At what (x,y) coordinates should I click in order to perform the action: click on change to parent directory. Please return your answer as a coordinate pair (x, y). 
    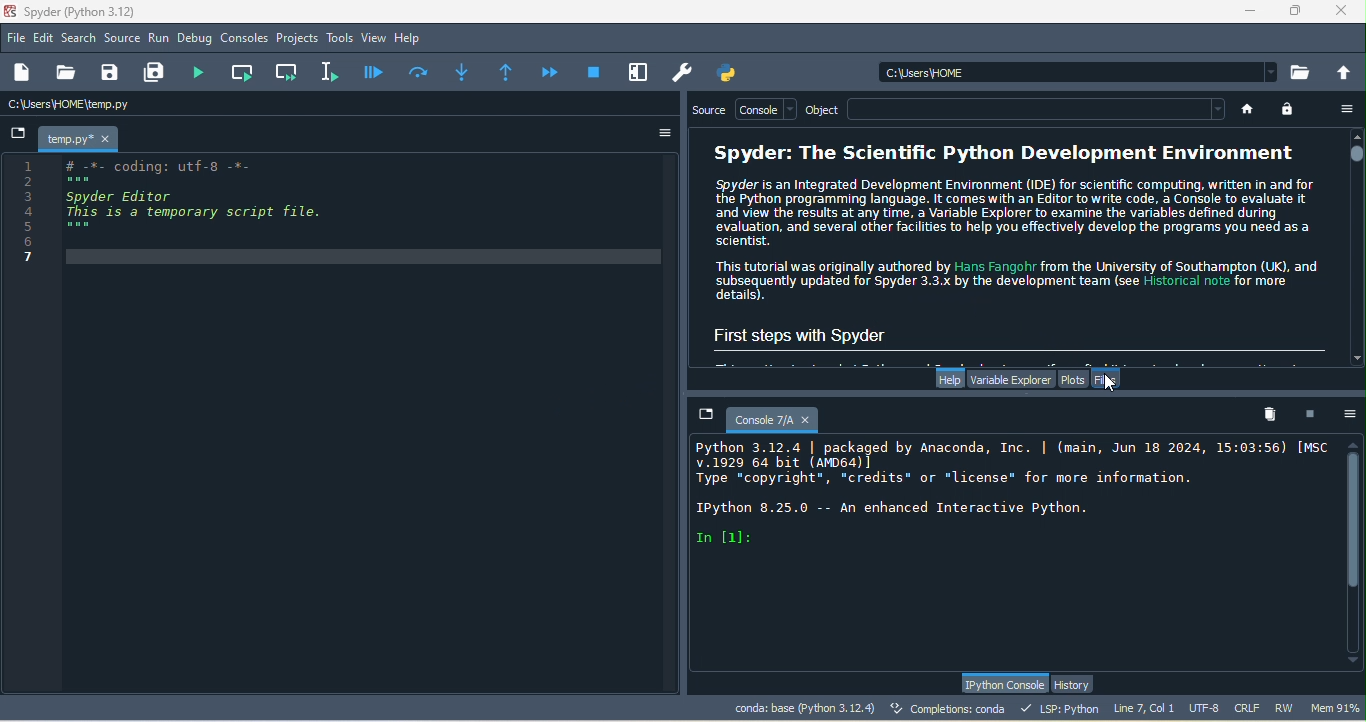
    Looking at the image, I should click on (1345, 71).